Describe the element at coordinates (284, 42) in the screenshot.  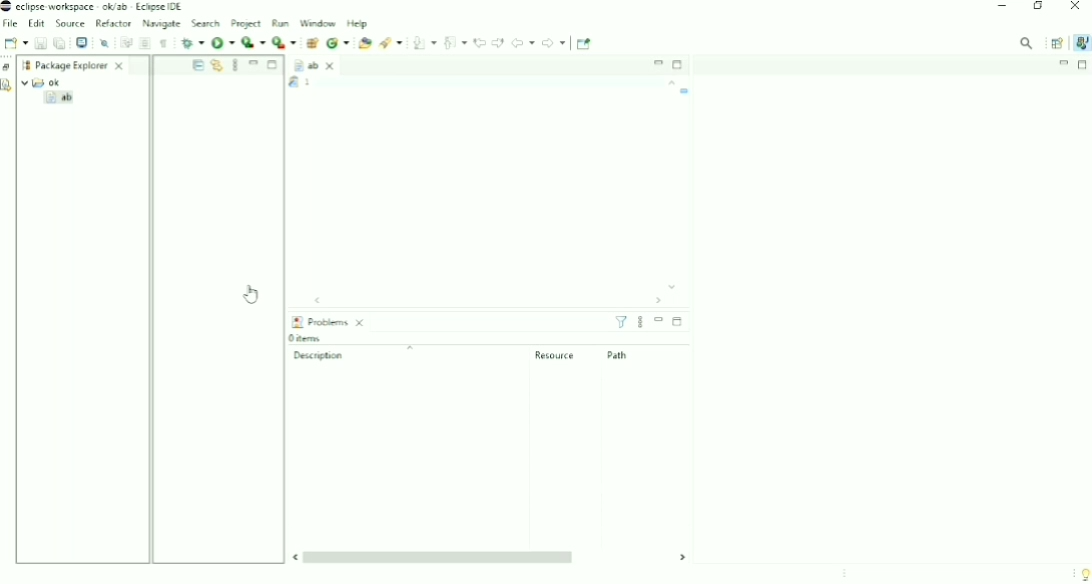
I see `Run Last Tool` at that location.